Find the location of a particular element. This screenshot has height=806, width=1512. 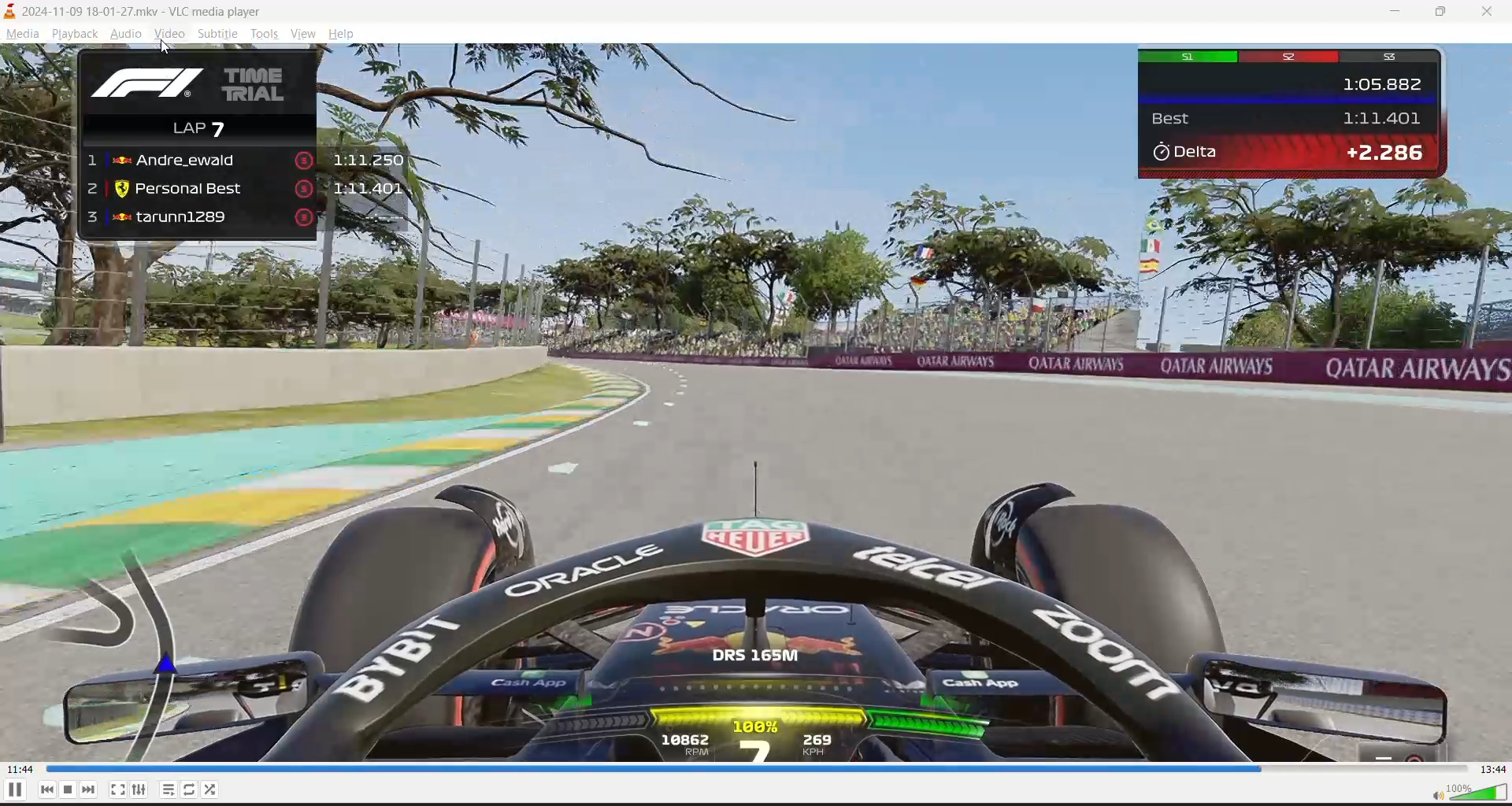

playback is located at coordinates (78, 35).